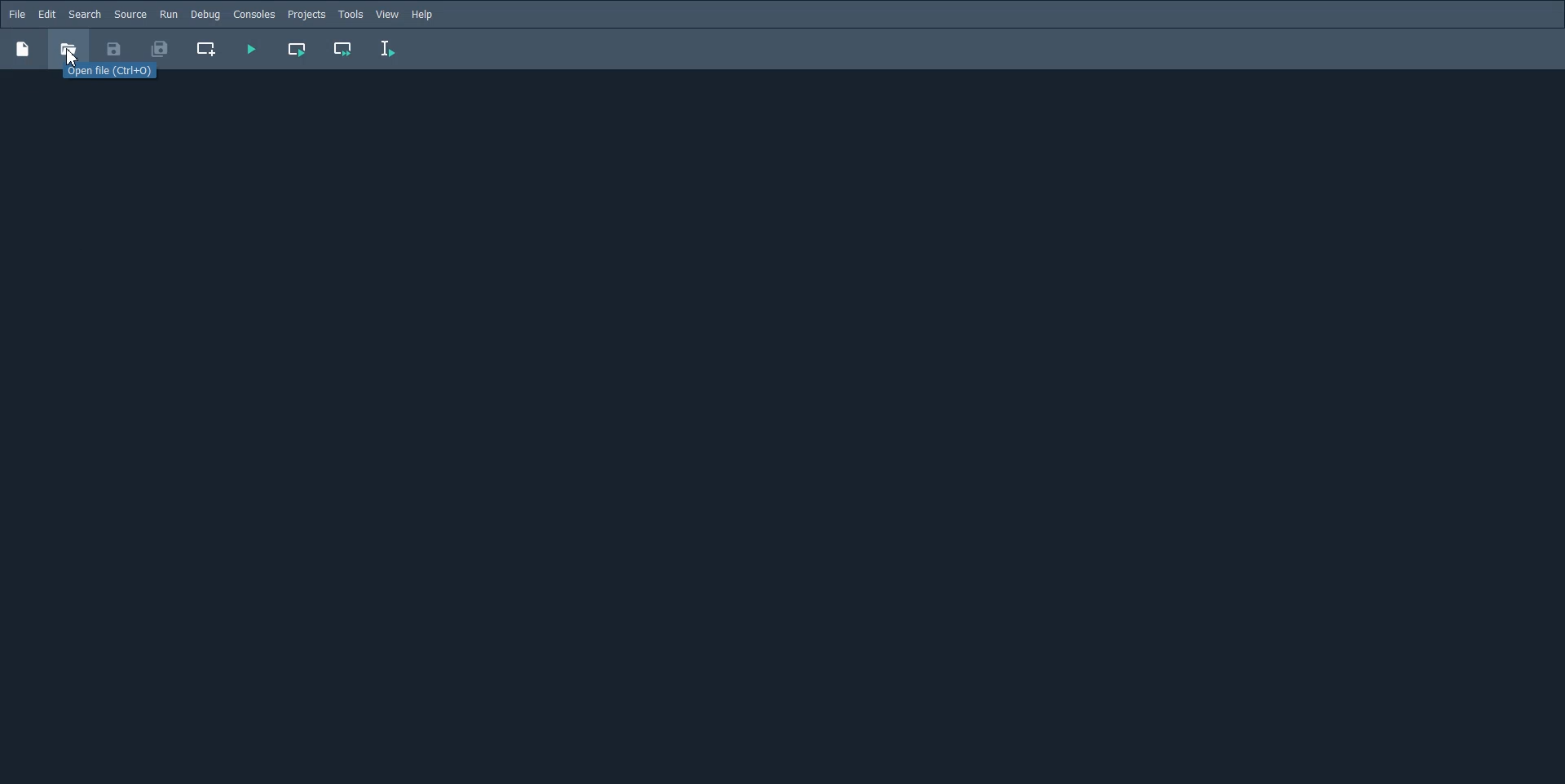  What do you see at coordinates (344, 50) in the screenshot?
I see `Run Current cell and go to next cell` at bounding box center [344, 50].